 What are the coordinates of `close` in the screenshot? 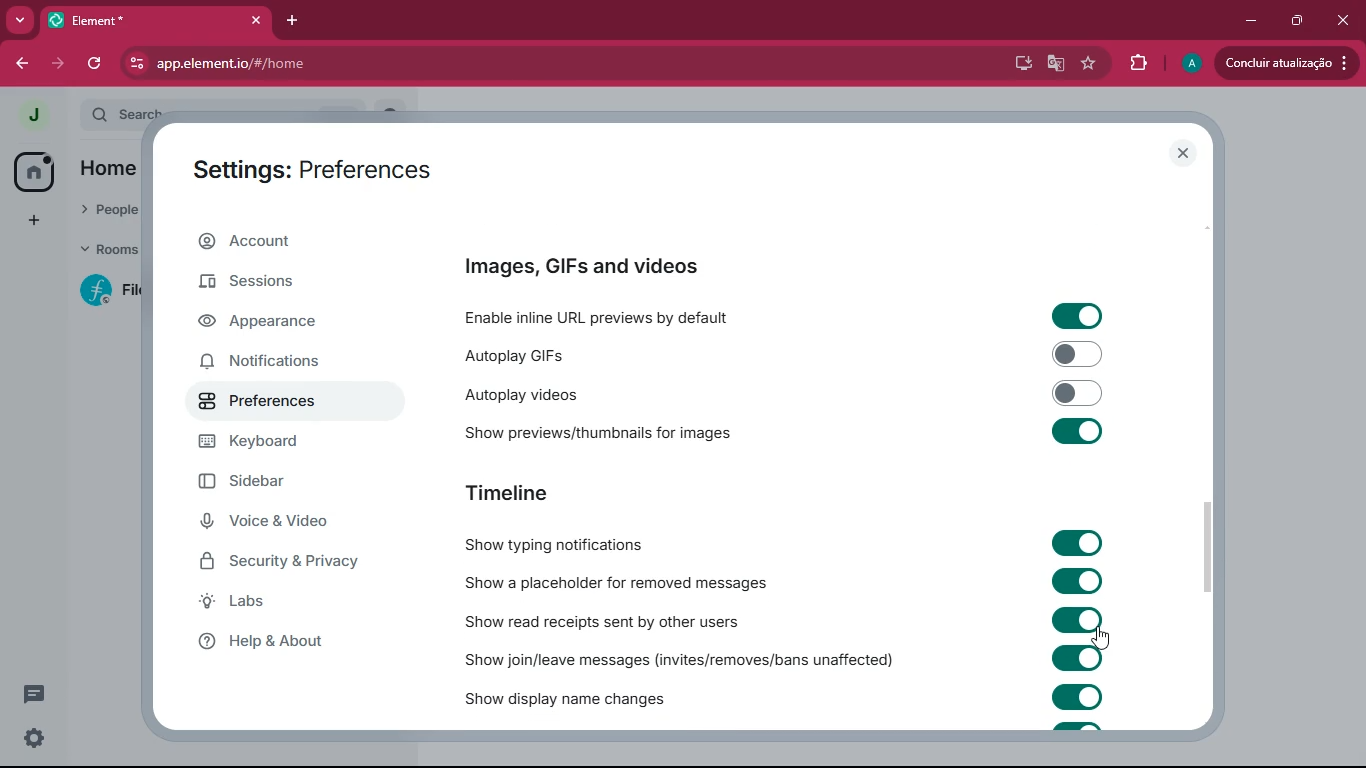 It's located at (1346, 24).